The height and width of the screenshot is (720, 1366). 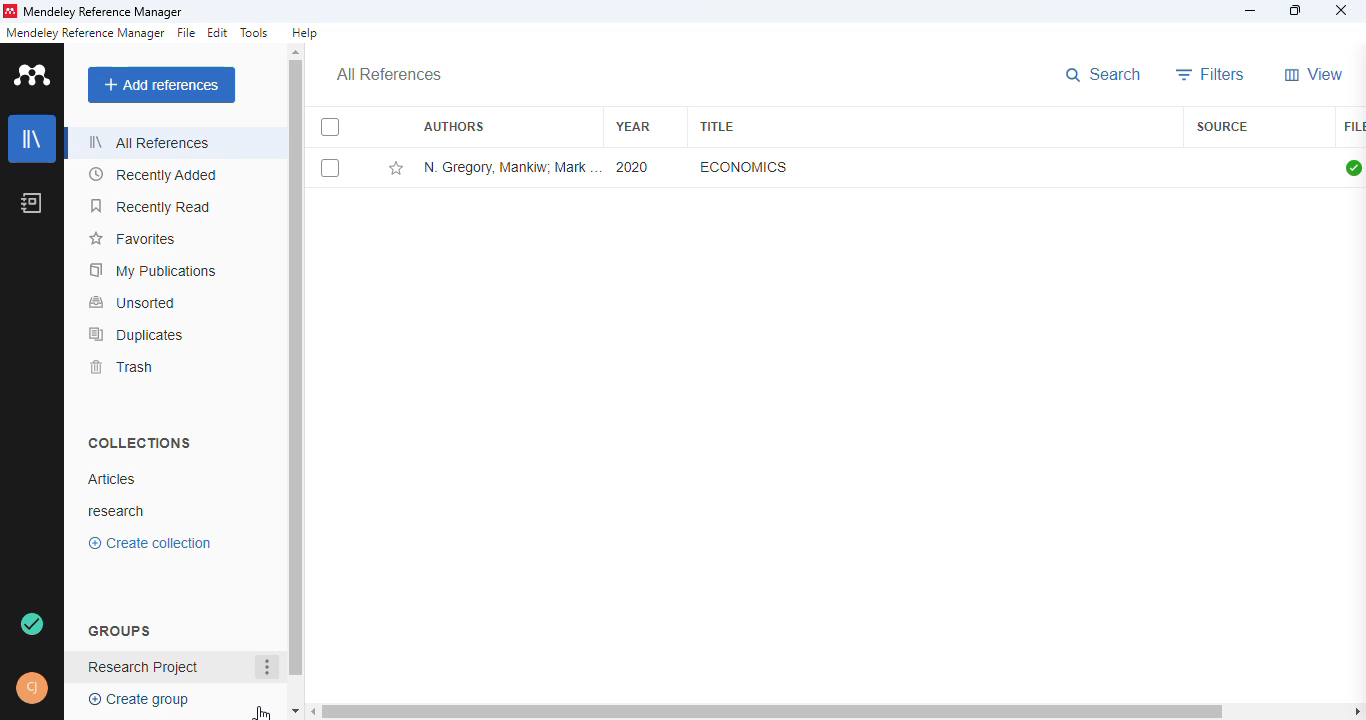 What do you see at coordinates (633, 167) in the screenshot?
I see `2020` at bounding box center [633, 167].